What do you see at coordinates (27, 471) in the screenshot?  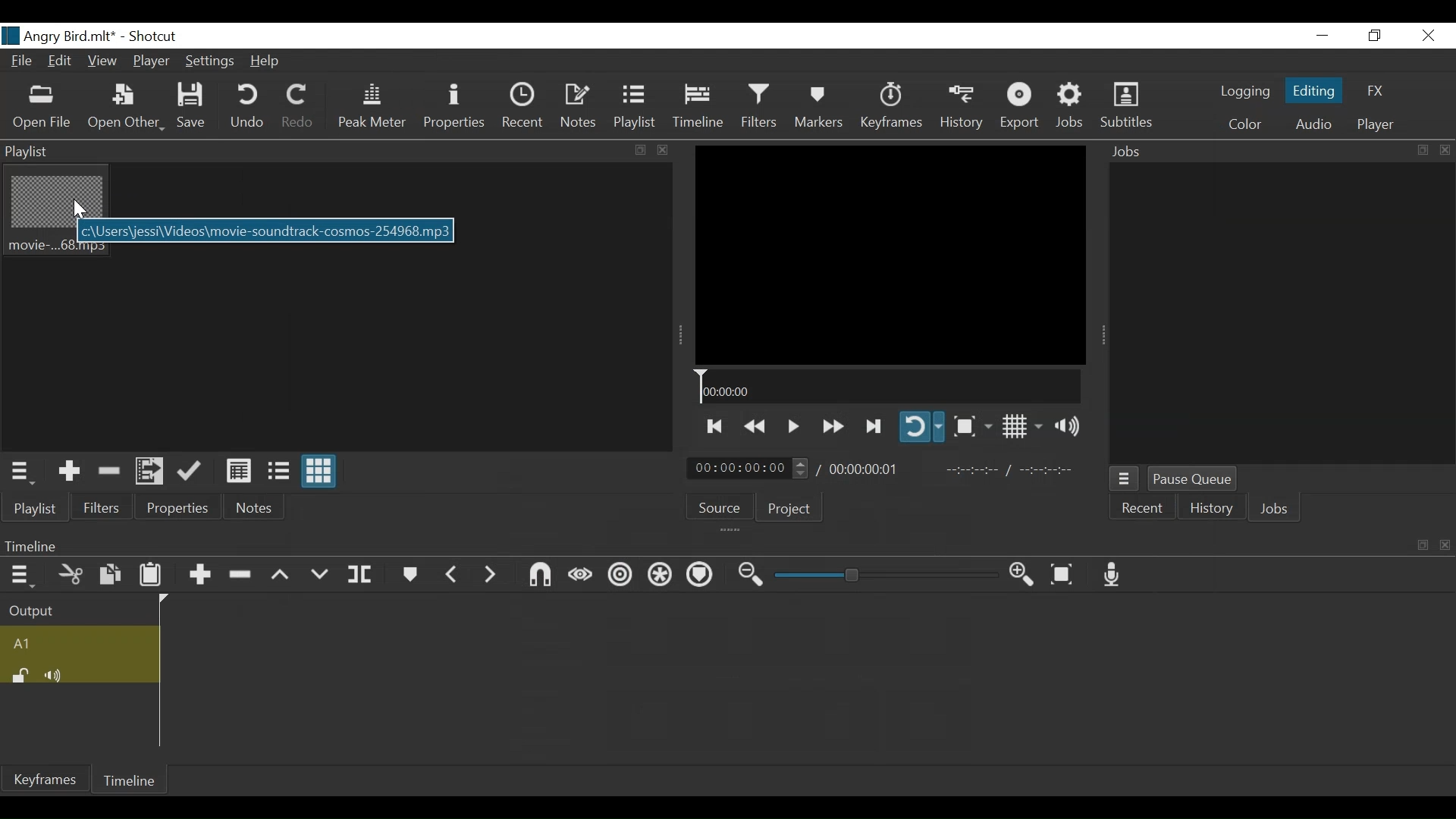 I see `Playlist menu` at bounding box center [27, 471].